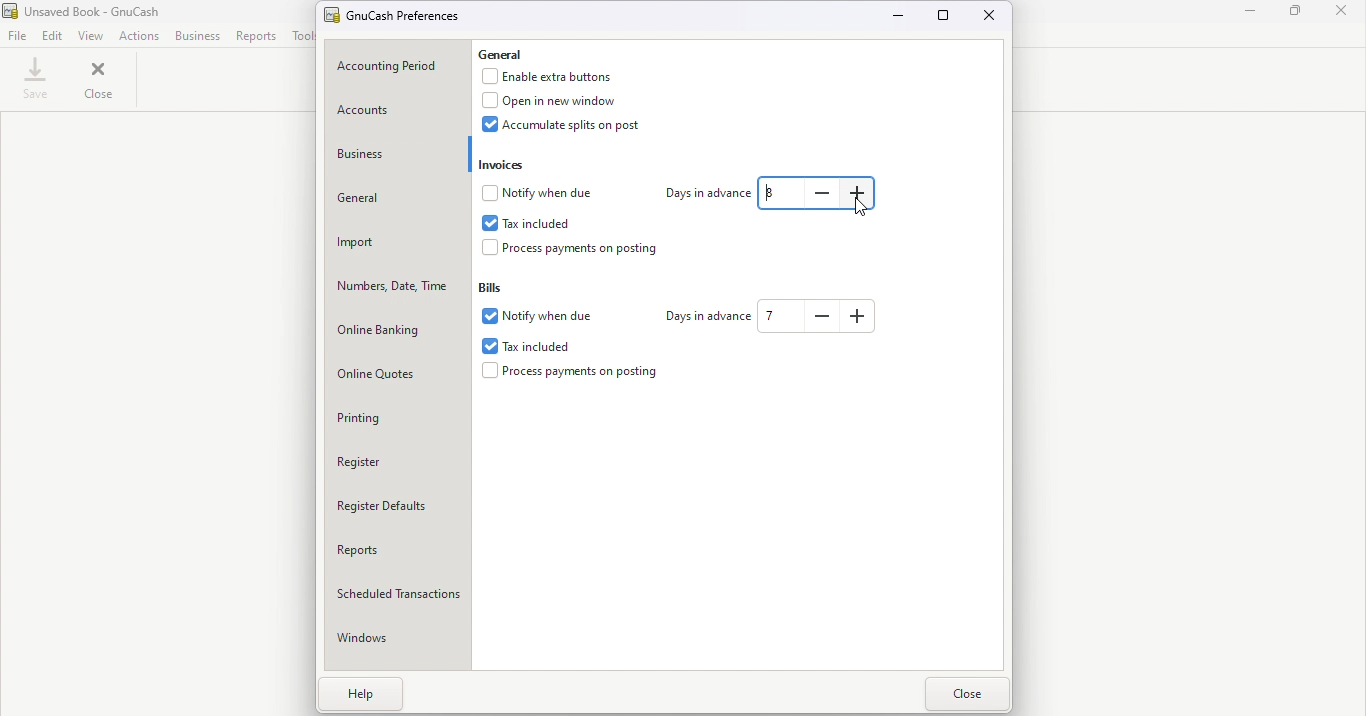 This screenshot has width=1366, height=716. What do you see at coordinates (576, 128) in the screenshot?
I see `Accumulate splits on post` at bounding box center [576, 128].